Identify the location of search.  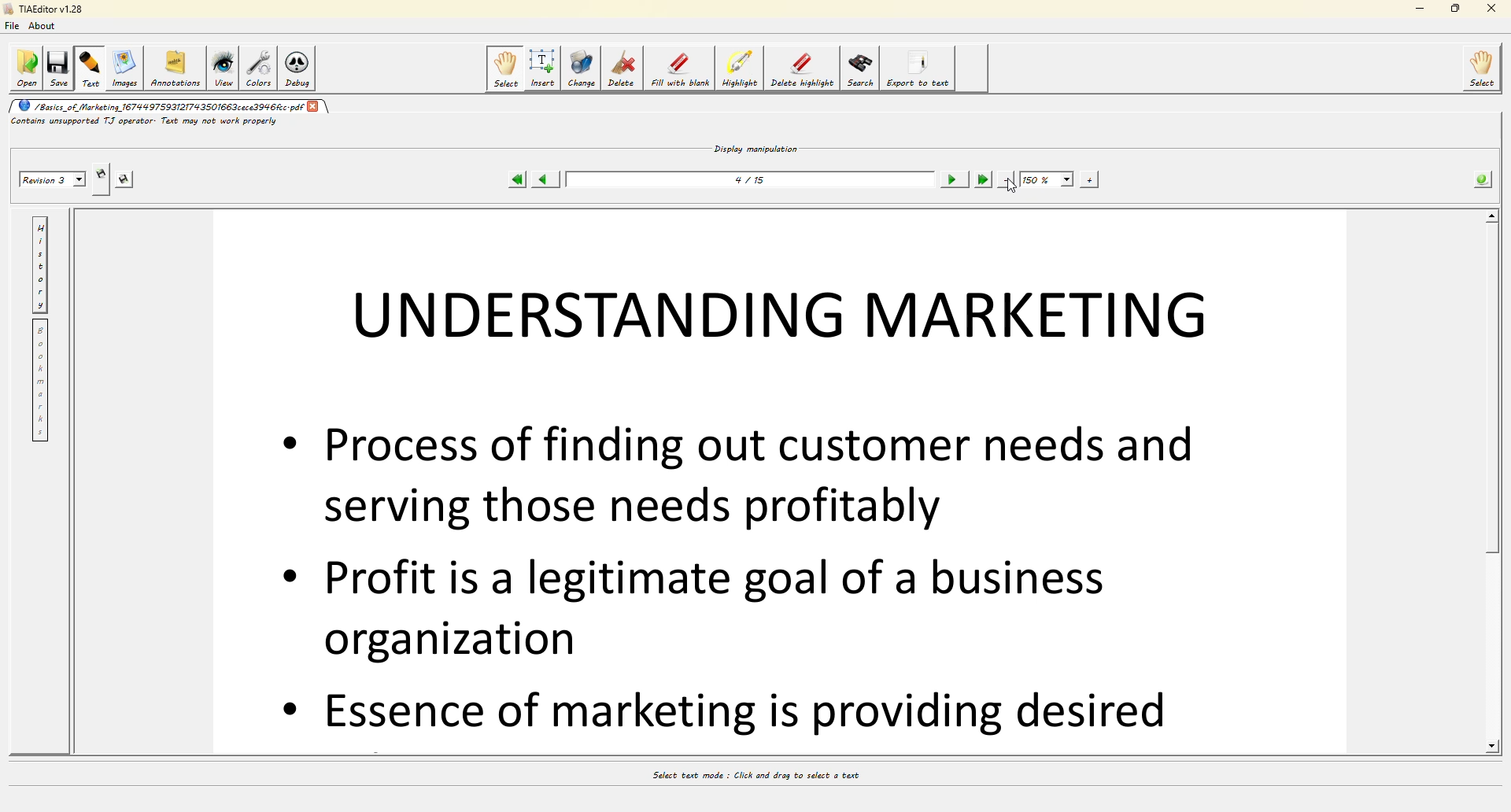
(860, 69).